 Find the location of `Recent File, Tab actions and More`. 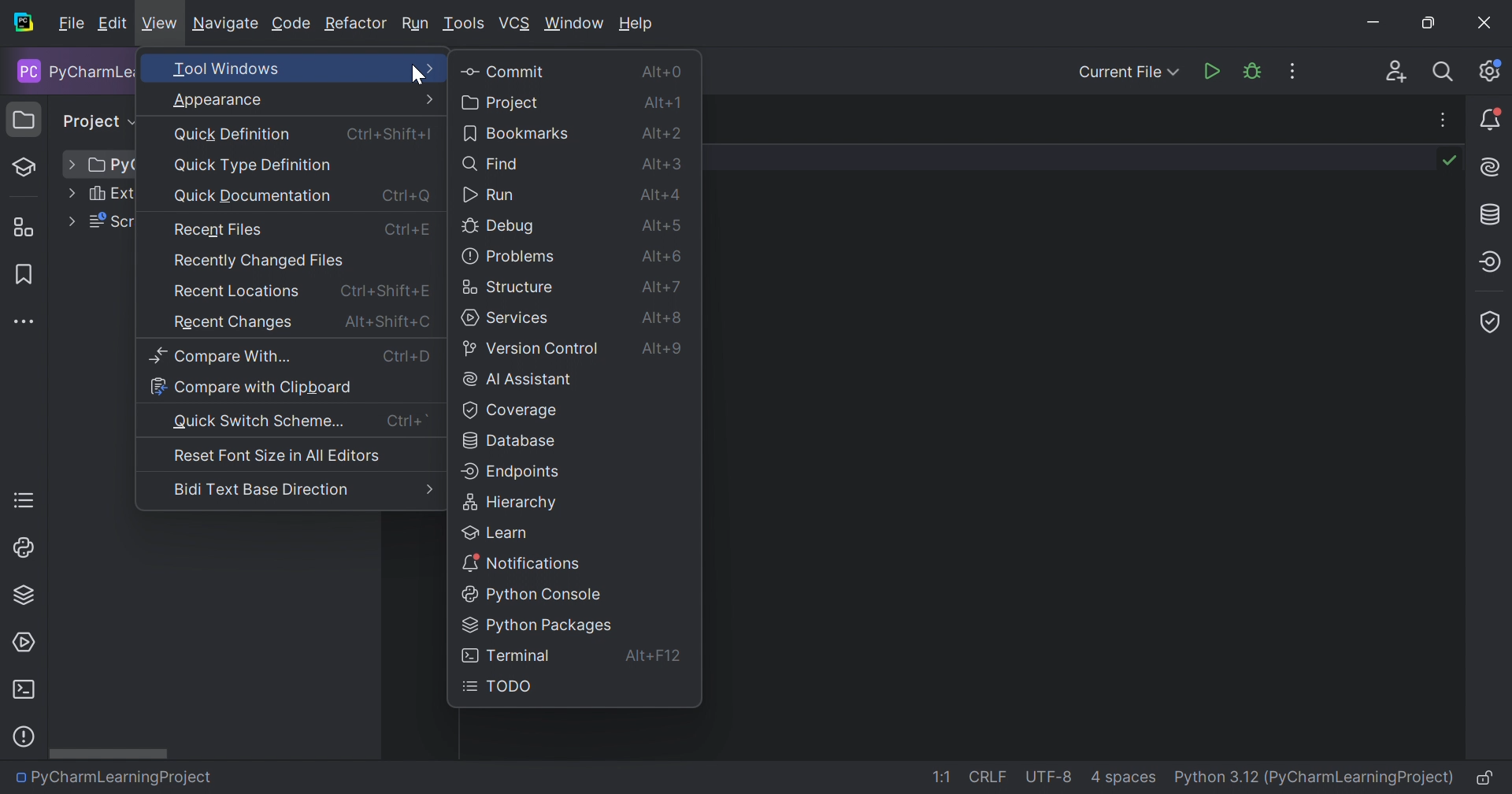

Recent File, Tab actions and More is located at coordinates (1443, 117).